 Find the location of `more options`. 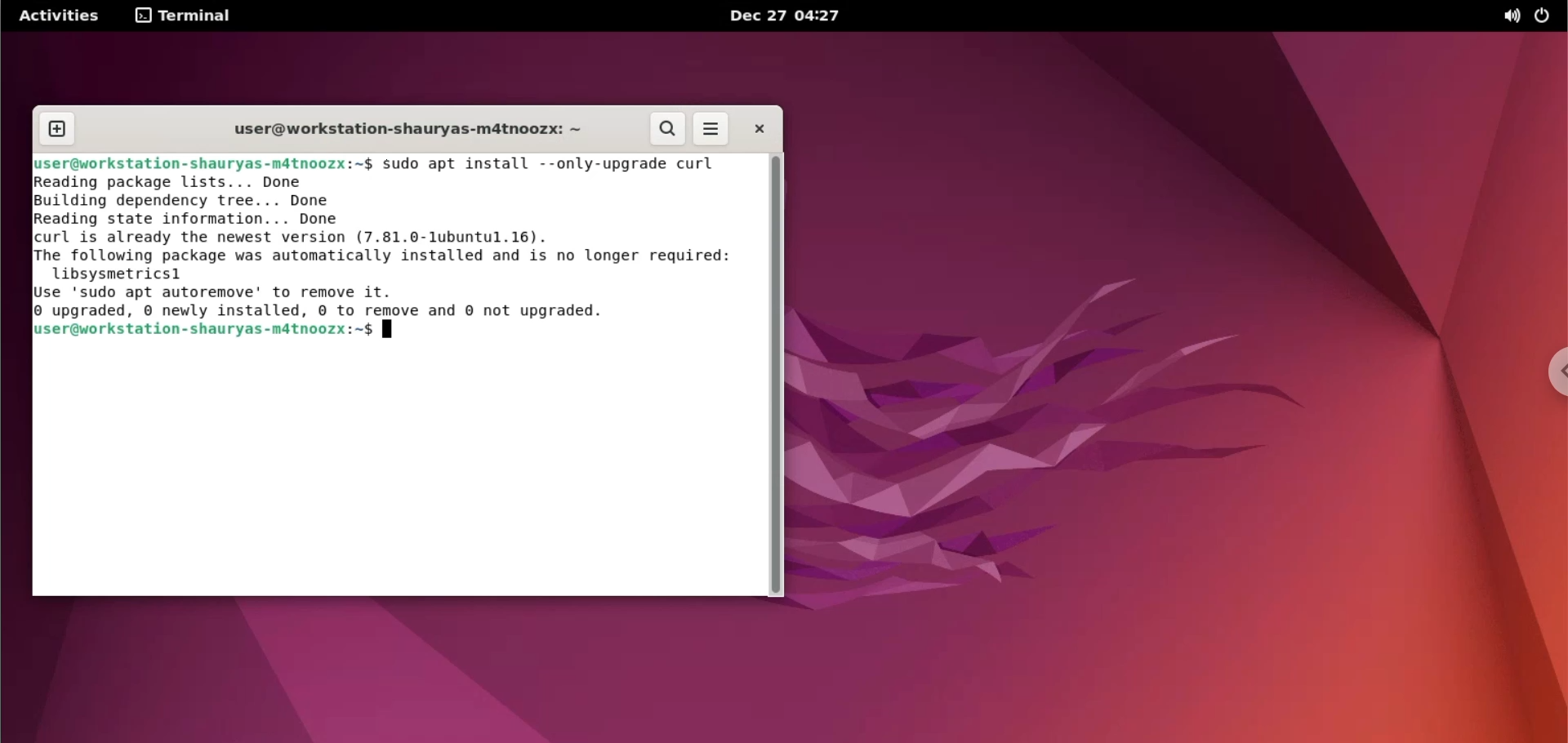

more options is located at coordinates (712, 129).